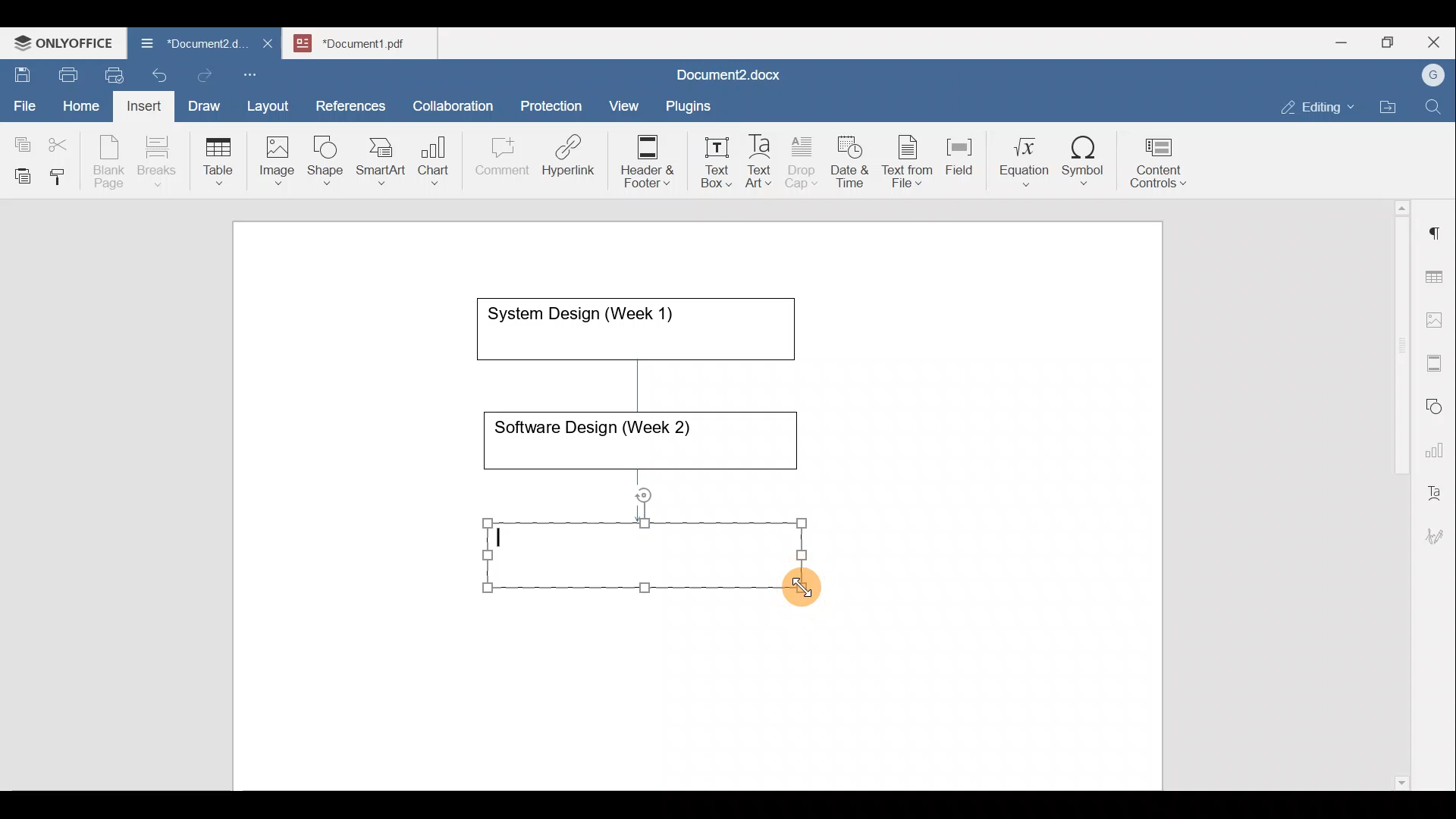 Image resolution: width=1456 pixels, height=819 pixels. I want to click on Text from file, so click(910, 160).